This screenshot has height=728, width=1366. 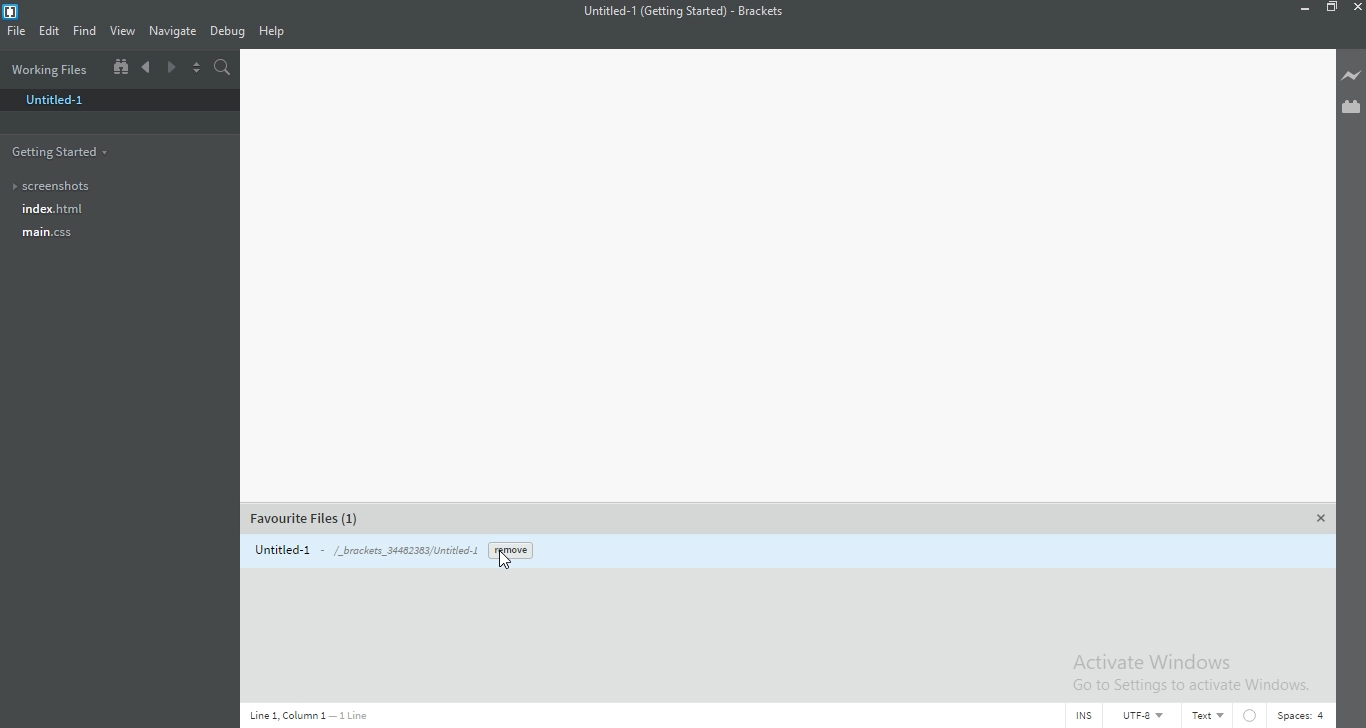 What do you see at coordinates (51, 69) in the screenshot?
I see `Working files` at bounding box center [51, 69].